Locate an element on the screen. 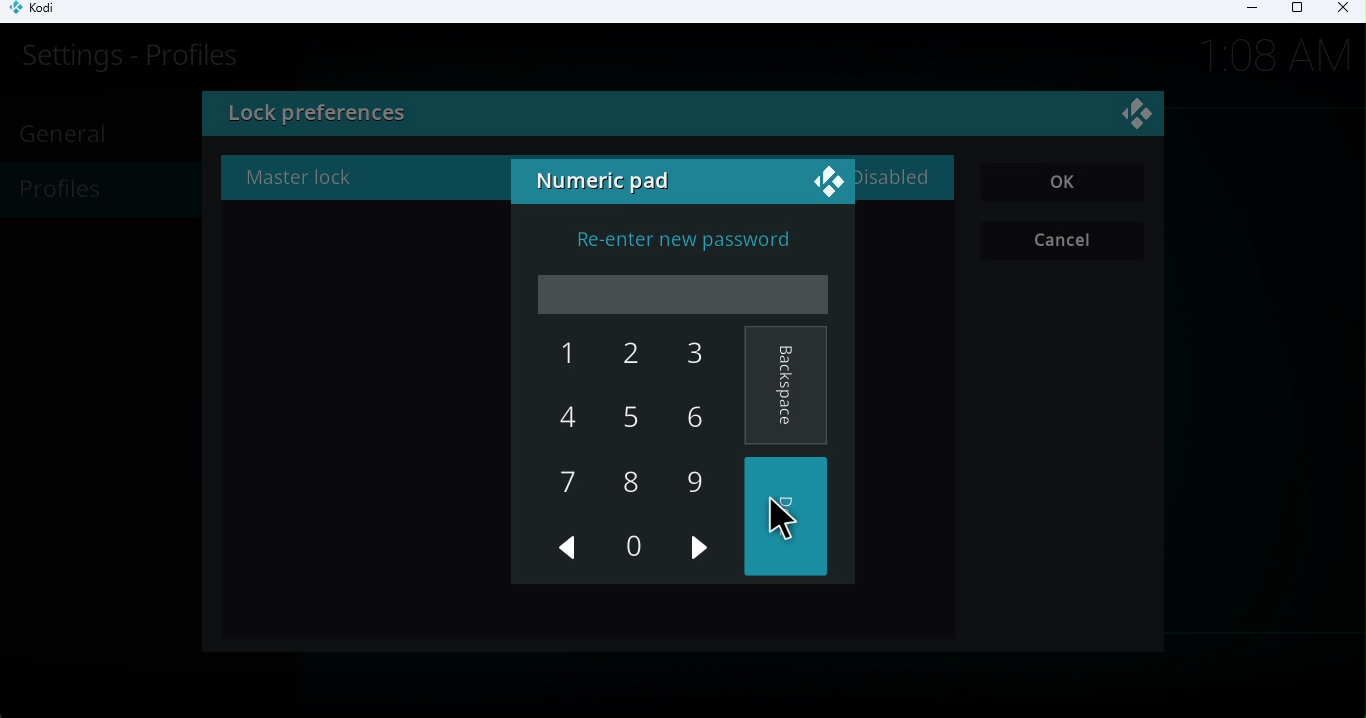 This screenshot has width=1366, height=718. Close is located at coordinates (1140, 117).